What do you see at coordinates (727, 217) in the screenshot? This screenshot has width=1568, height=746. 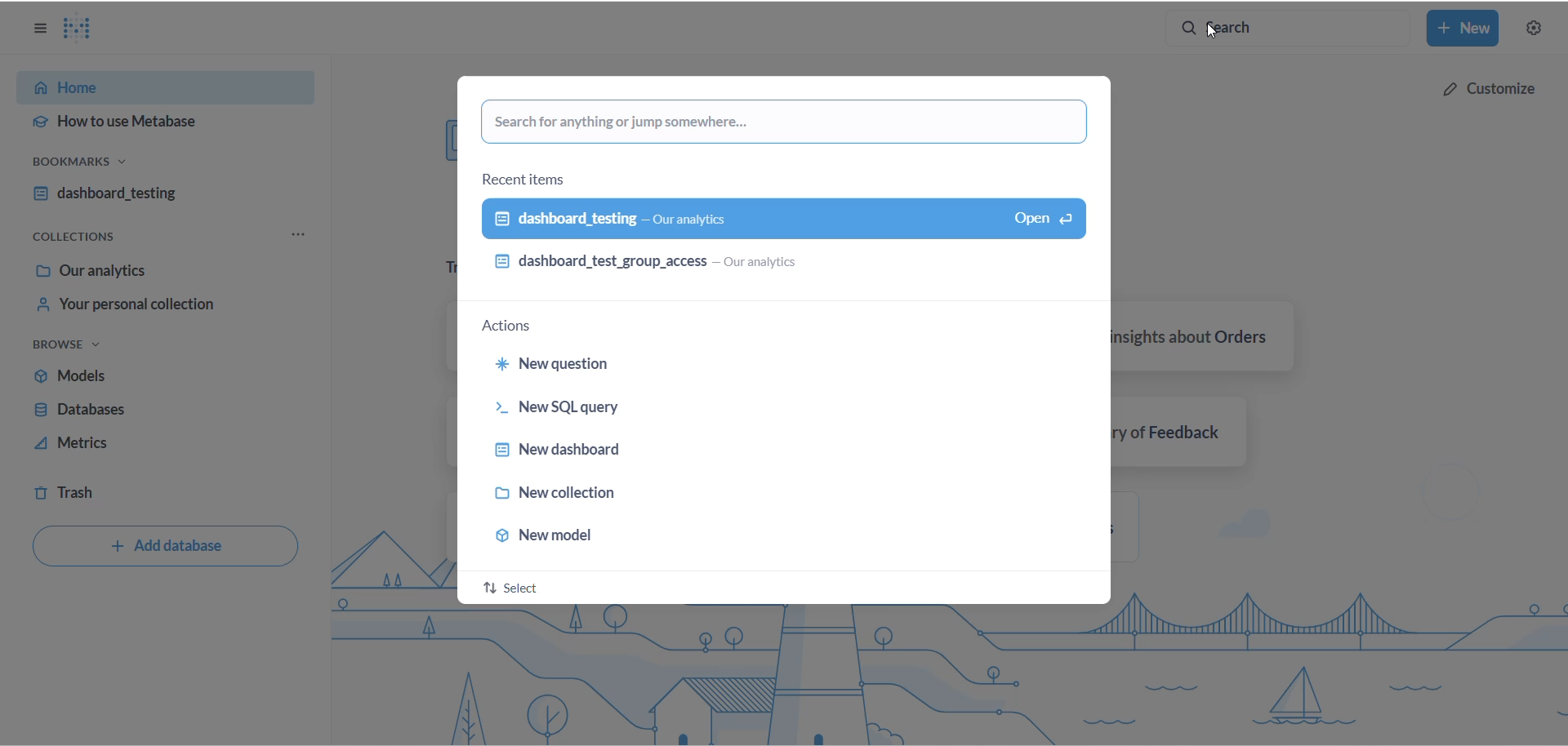 I see `recently open dashboard -dashboard_testing` at bounding box center [727, 217].